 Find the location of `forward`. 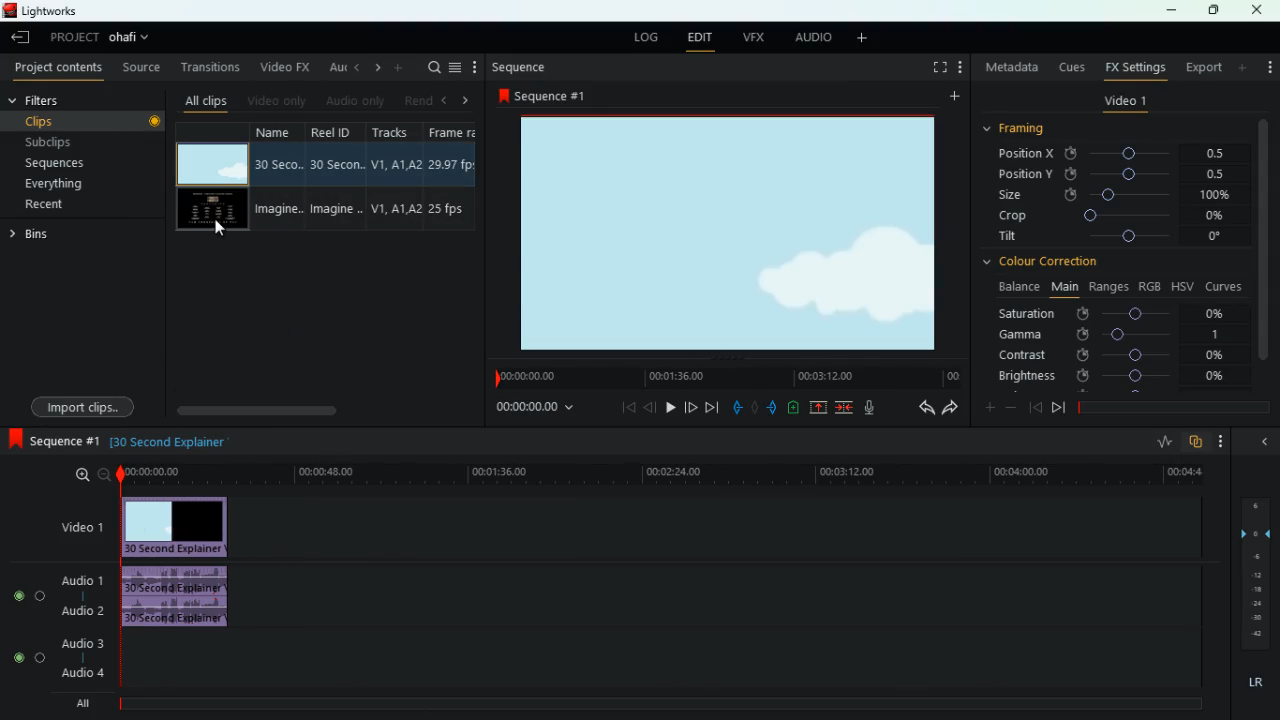

forward is located at coordinates (950, 409).